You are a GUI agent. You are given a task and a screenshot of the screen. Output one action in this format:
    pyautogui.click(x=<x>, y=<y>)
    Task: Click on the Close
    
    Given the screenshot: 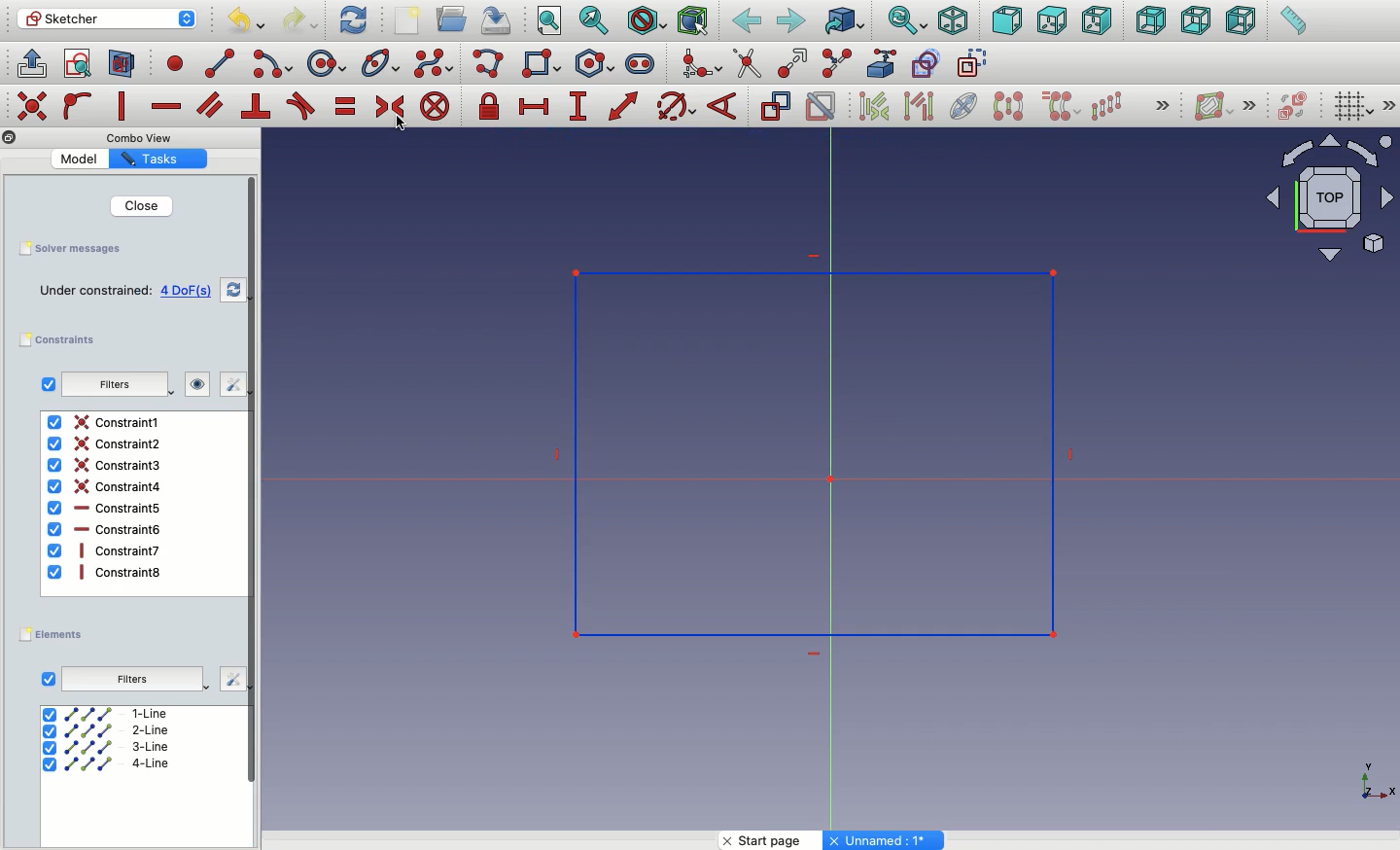 What is the action you would take?
    pyautogui.click(x=129, y=205)
    